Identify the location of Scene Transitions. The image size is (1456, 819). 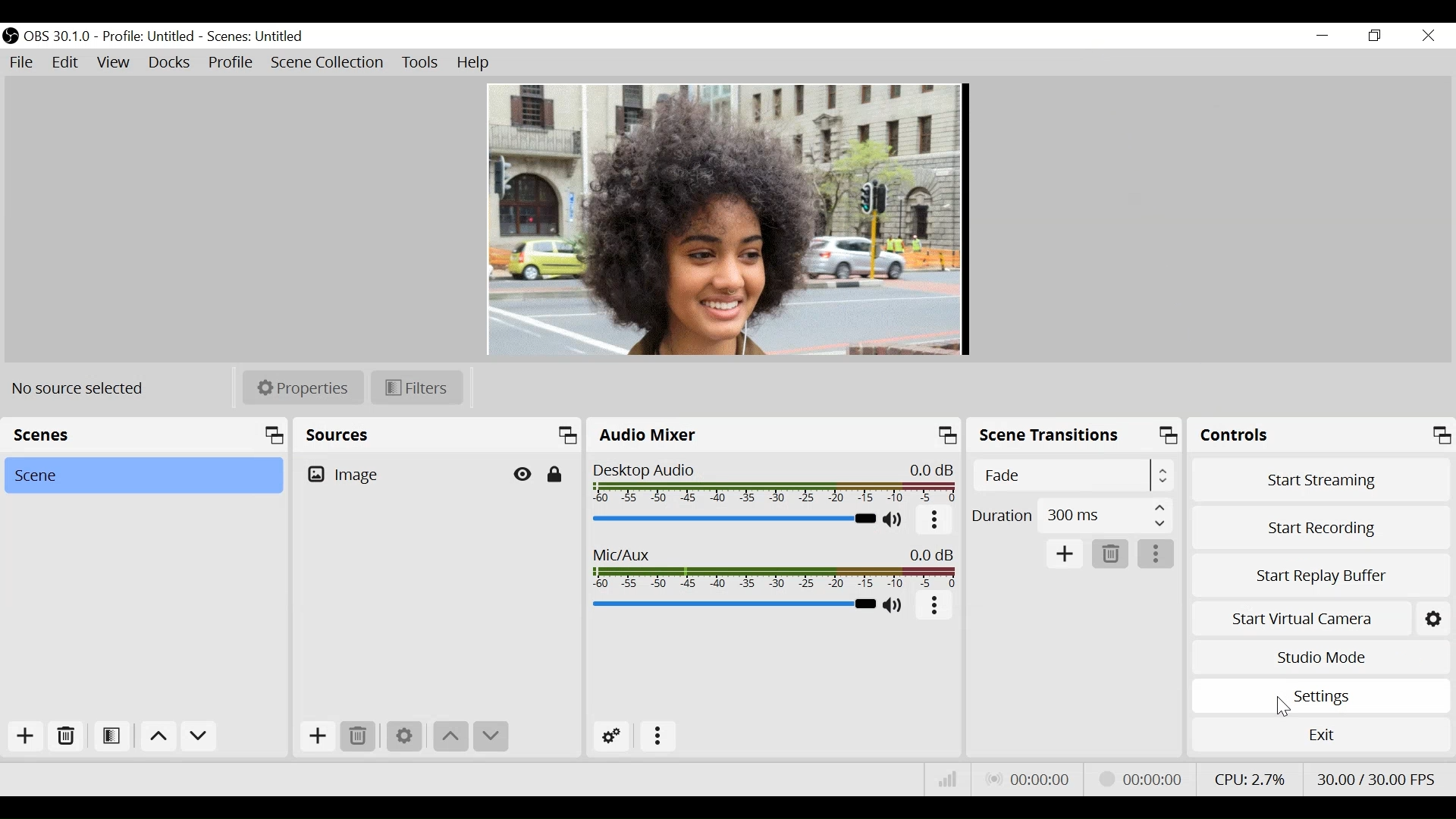
(1075, 435).